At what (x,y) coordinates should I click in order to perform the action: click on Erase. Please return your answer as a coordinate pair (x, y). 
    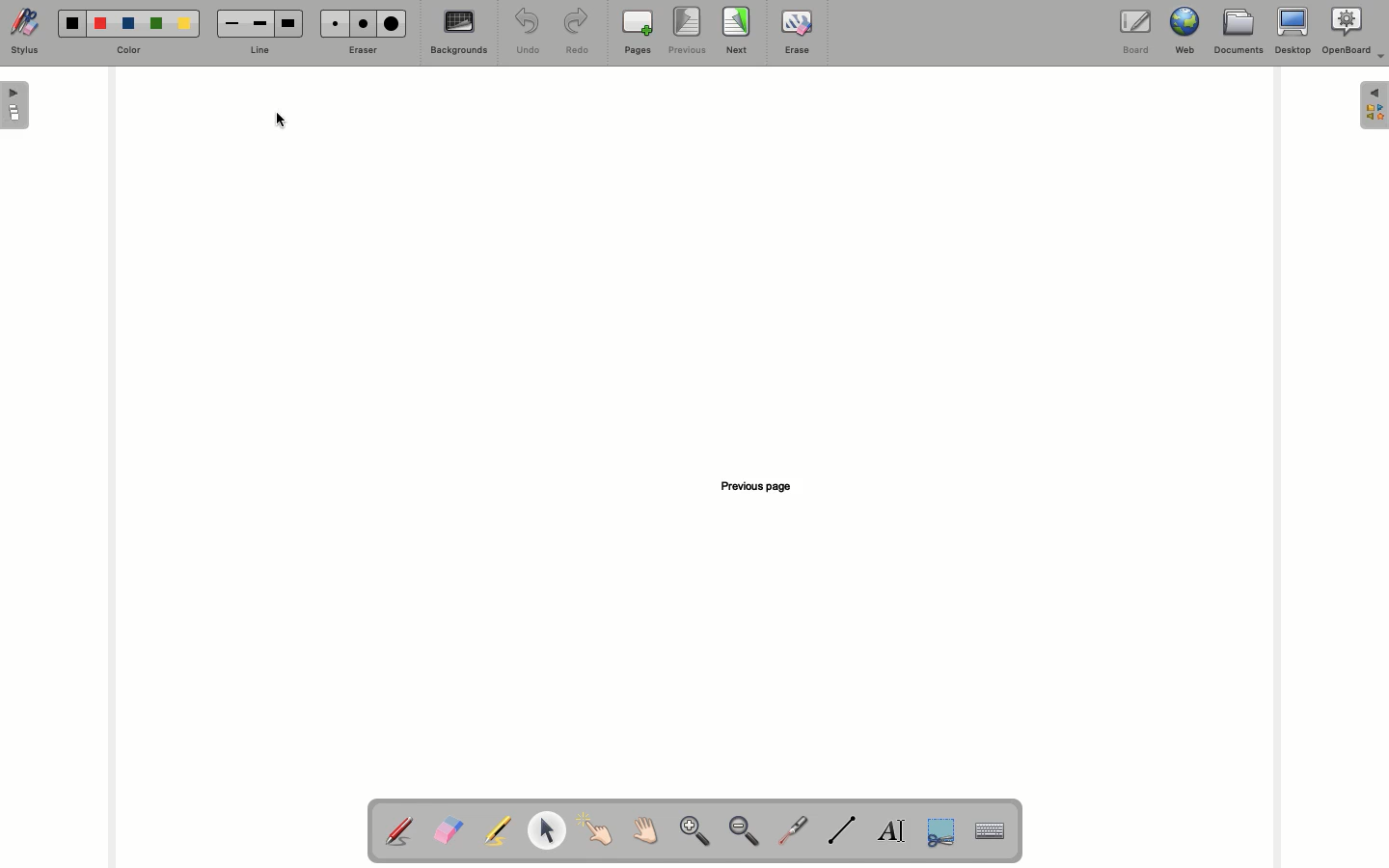
    Looking at the image, I should click on (797, 32).